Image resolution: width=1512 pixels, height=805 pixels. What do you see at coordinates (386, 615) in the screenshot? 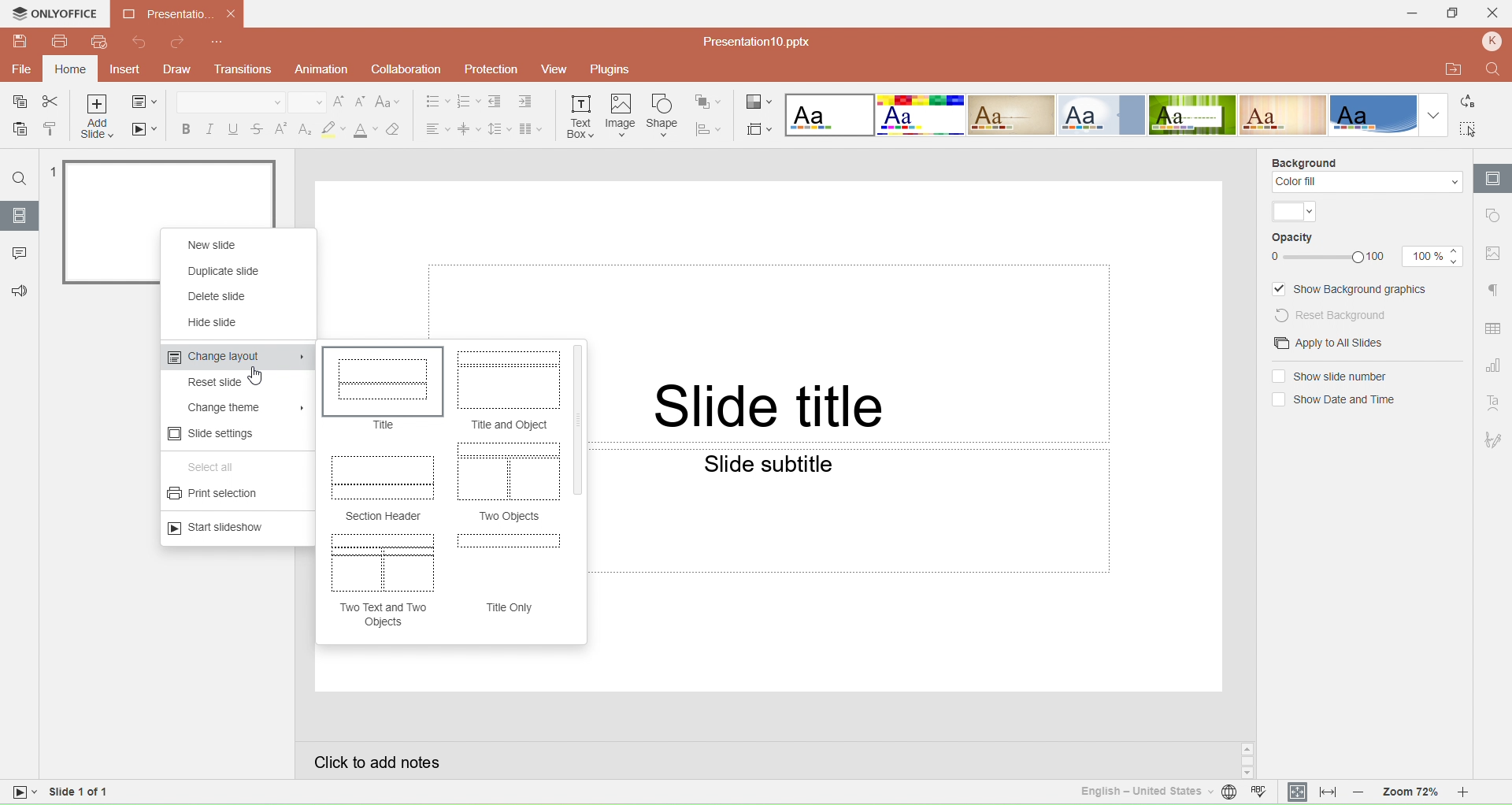
I see `Two text and two objects` at bounding box center [386, 615].